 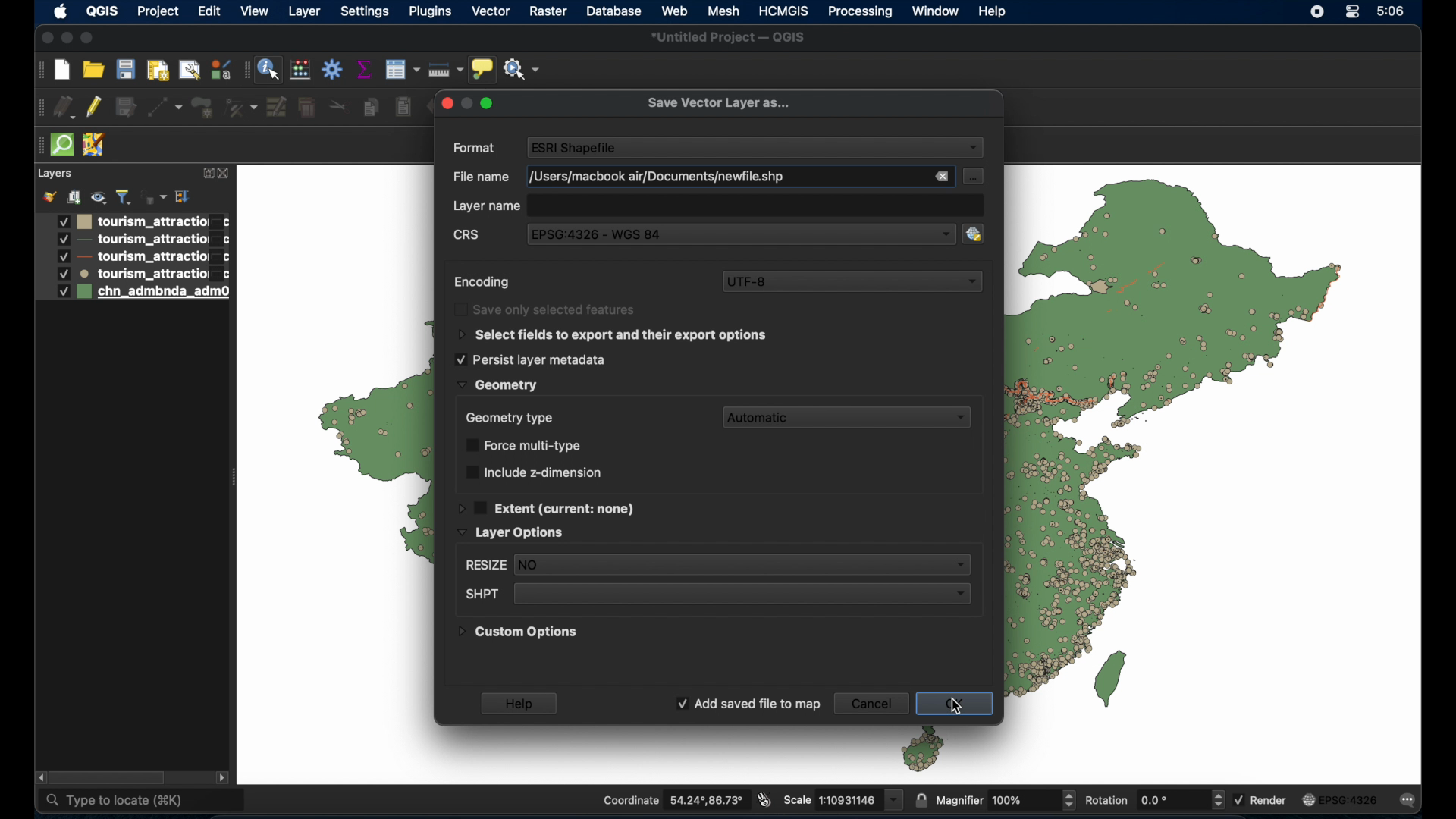 I want to click on toggle extents and mouse display position, so click(x=765, y=801).